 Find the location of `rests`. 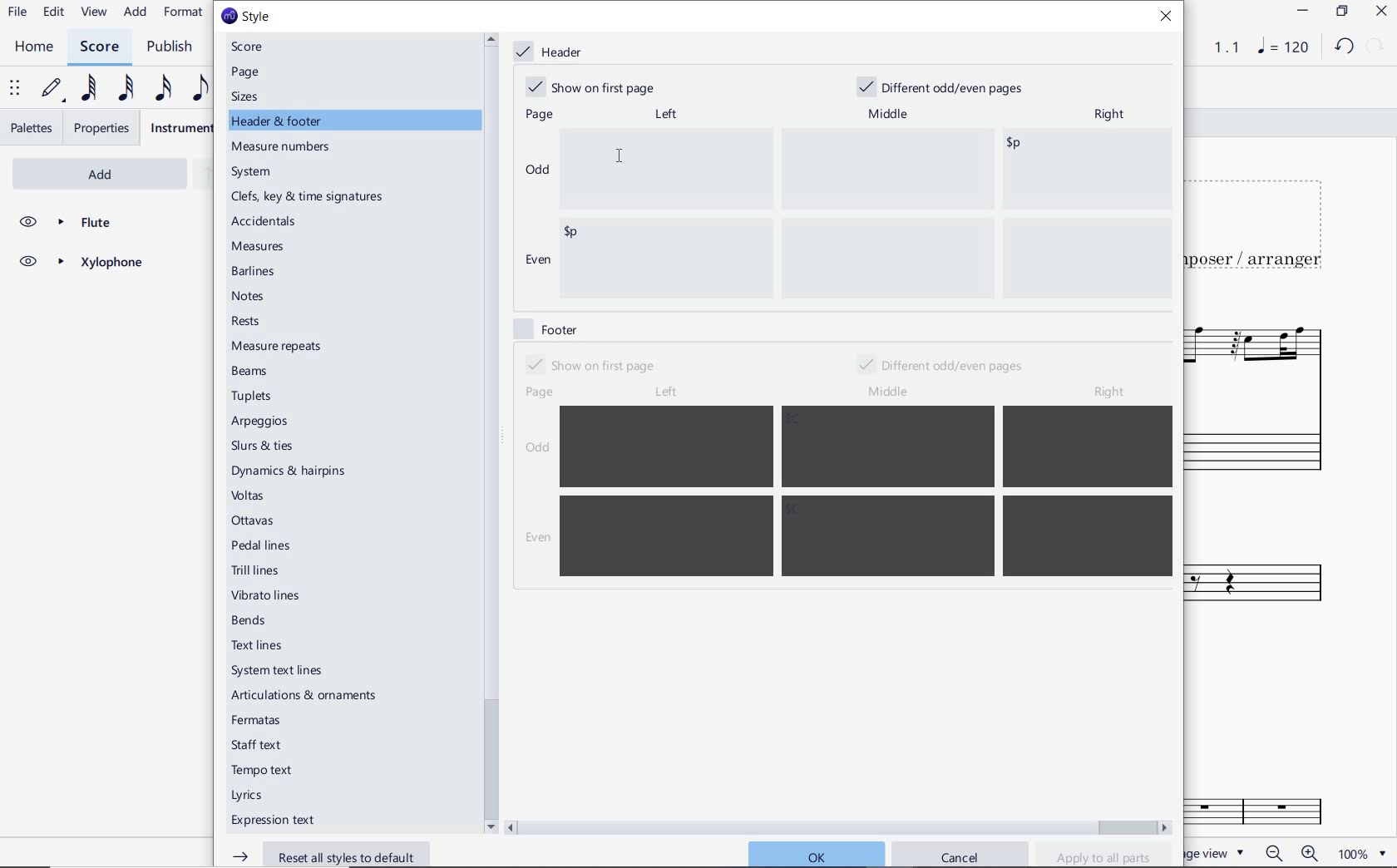

rests is located at coordinates (261, 322).